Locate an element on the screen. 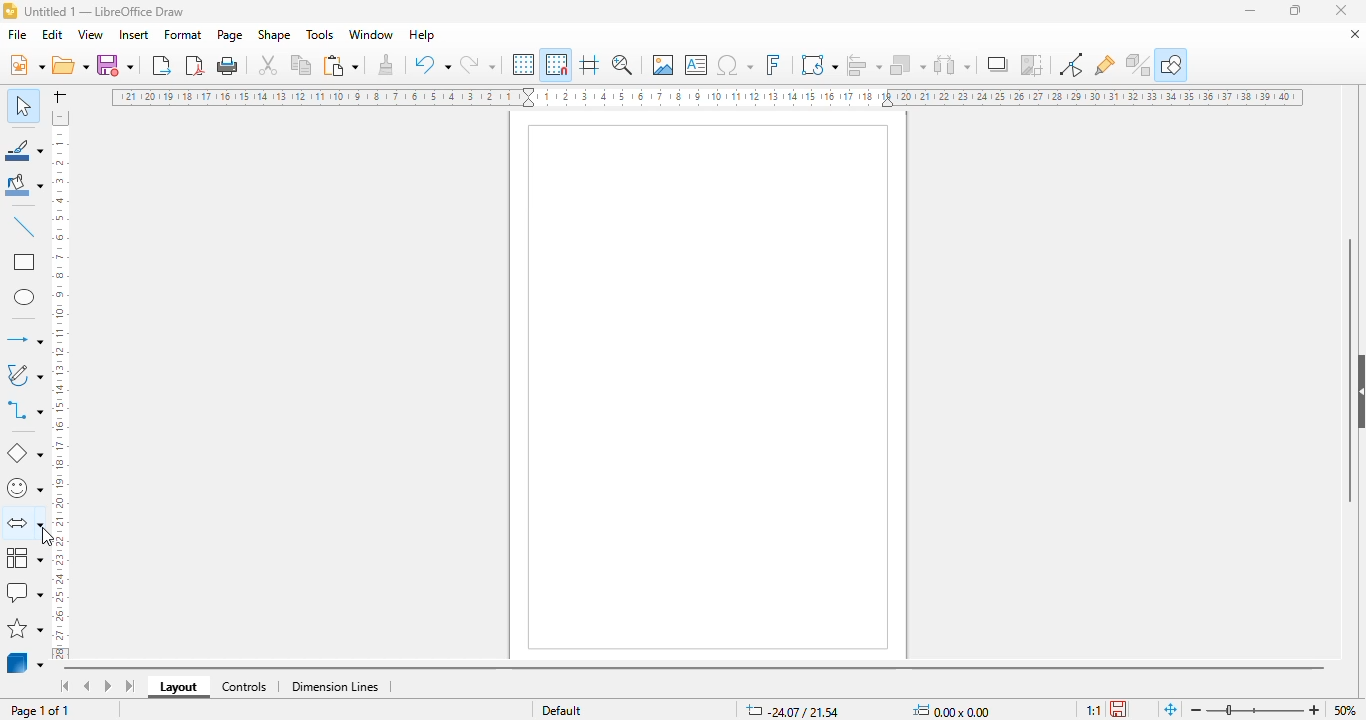 The height and width of the screenshot is (720, 1366). format is located at coordinates (184, 34).